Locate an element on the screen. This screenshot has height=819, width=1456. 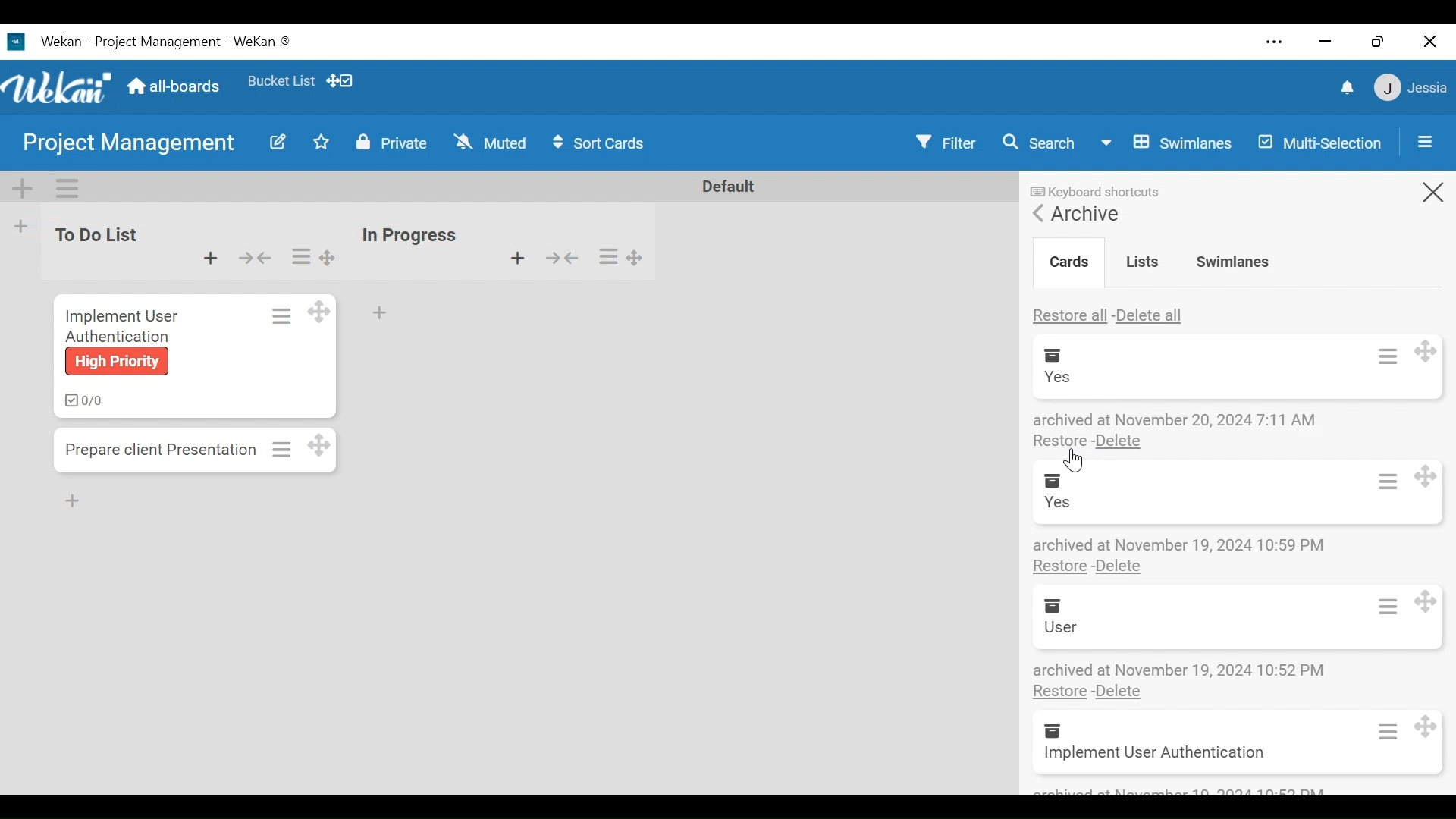
Archive details is located at coordinates (1179, 670).